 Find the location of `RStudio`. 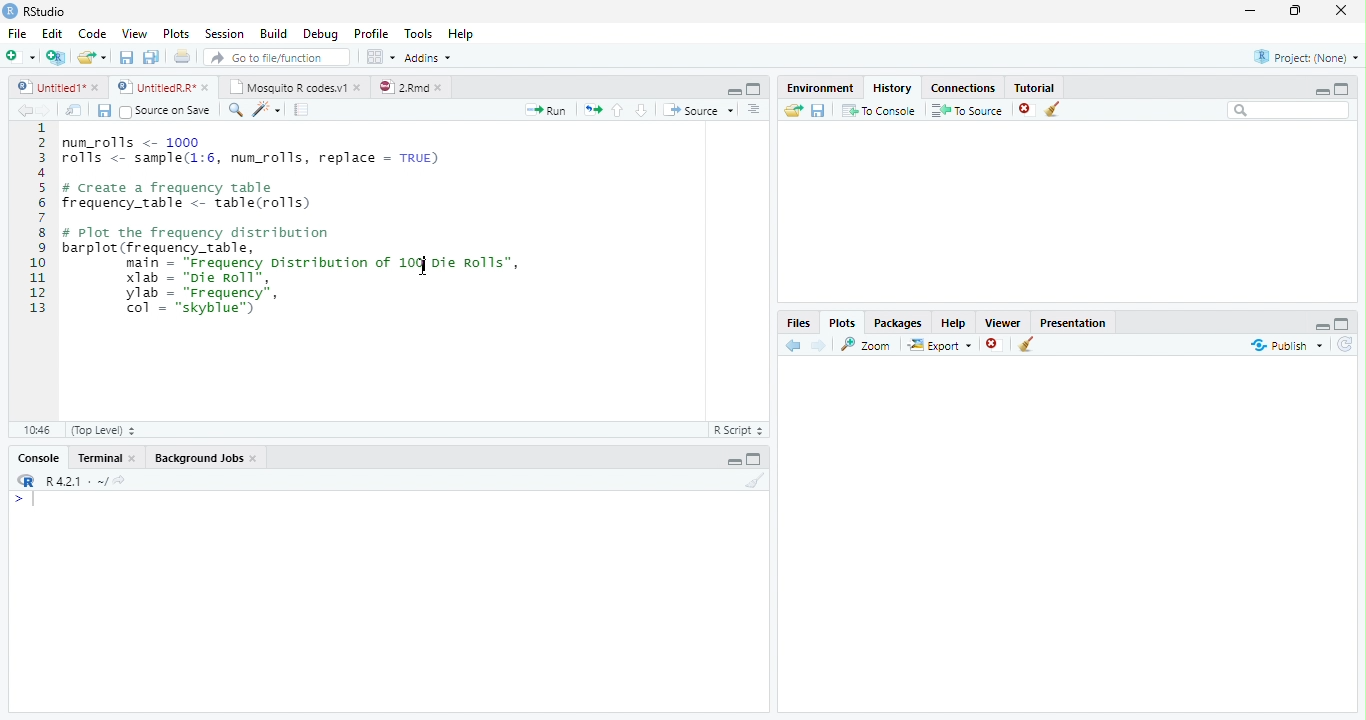

RStudio is located at coordinates (35, 11).